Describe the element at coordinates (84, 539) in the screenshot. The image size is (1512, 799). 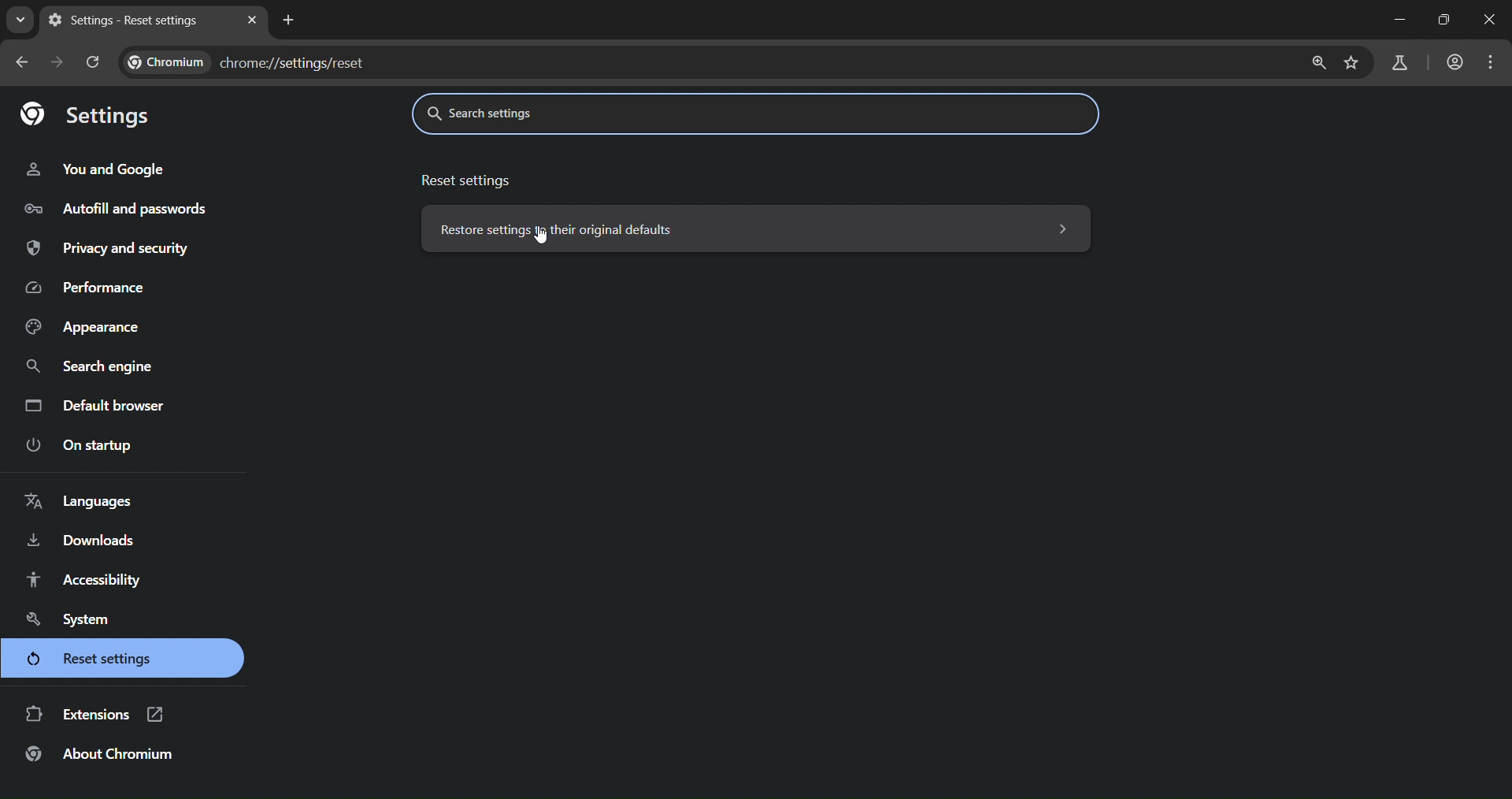
I see `downloads` at that location.